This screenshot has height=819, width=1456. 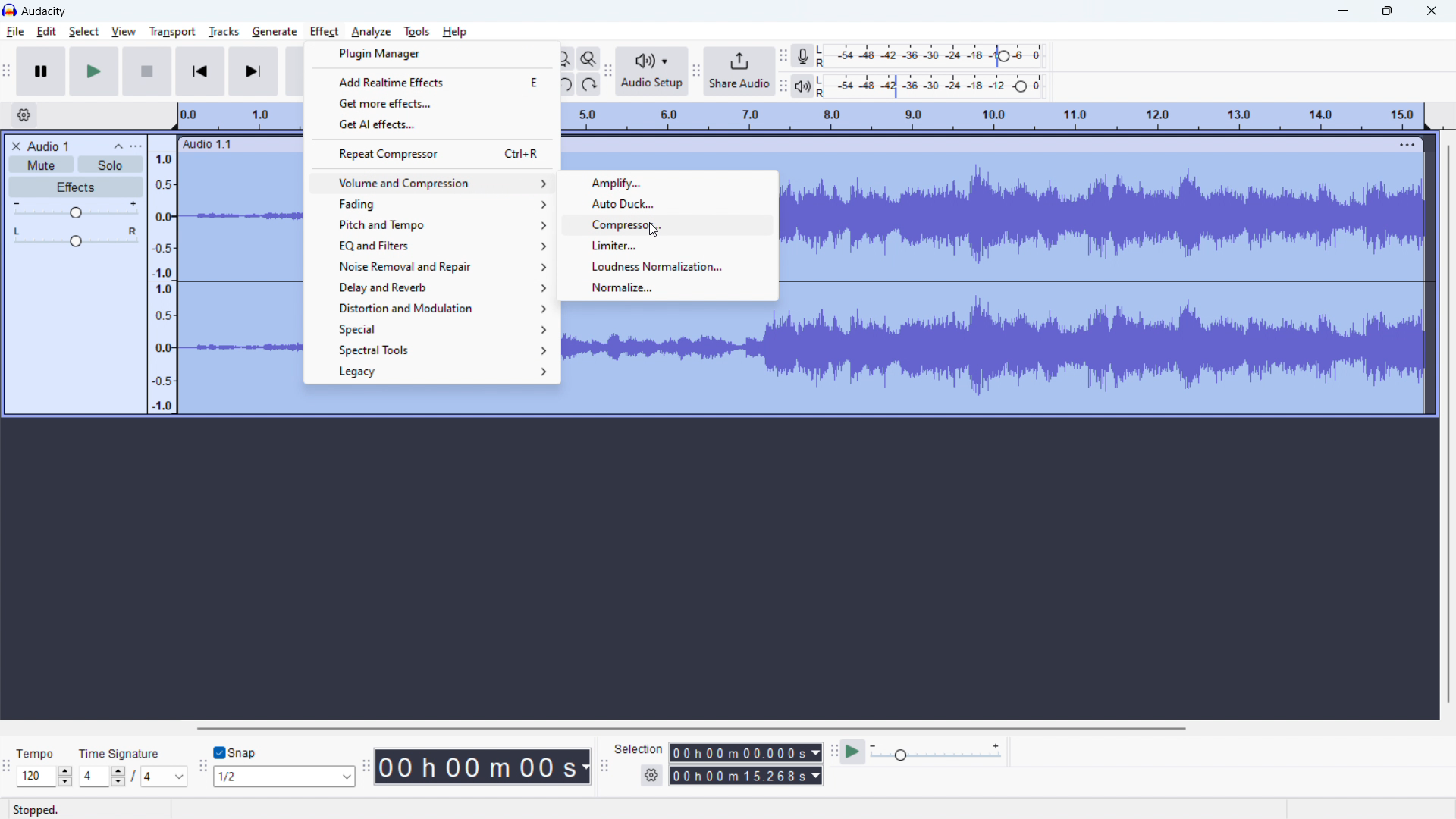 I want to click on volume and compression, so click(x=430, y=183).